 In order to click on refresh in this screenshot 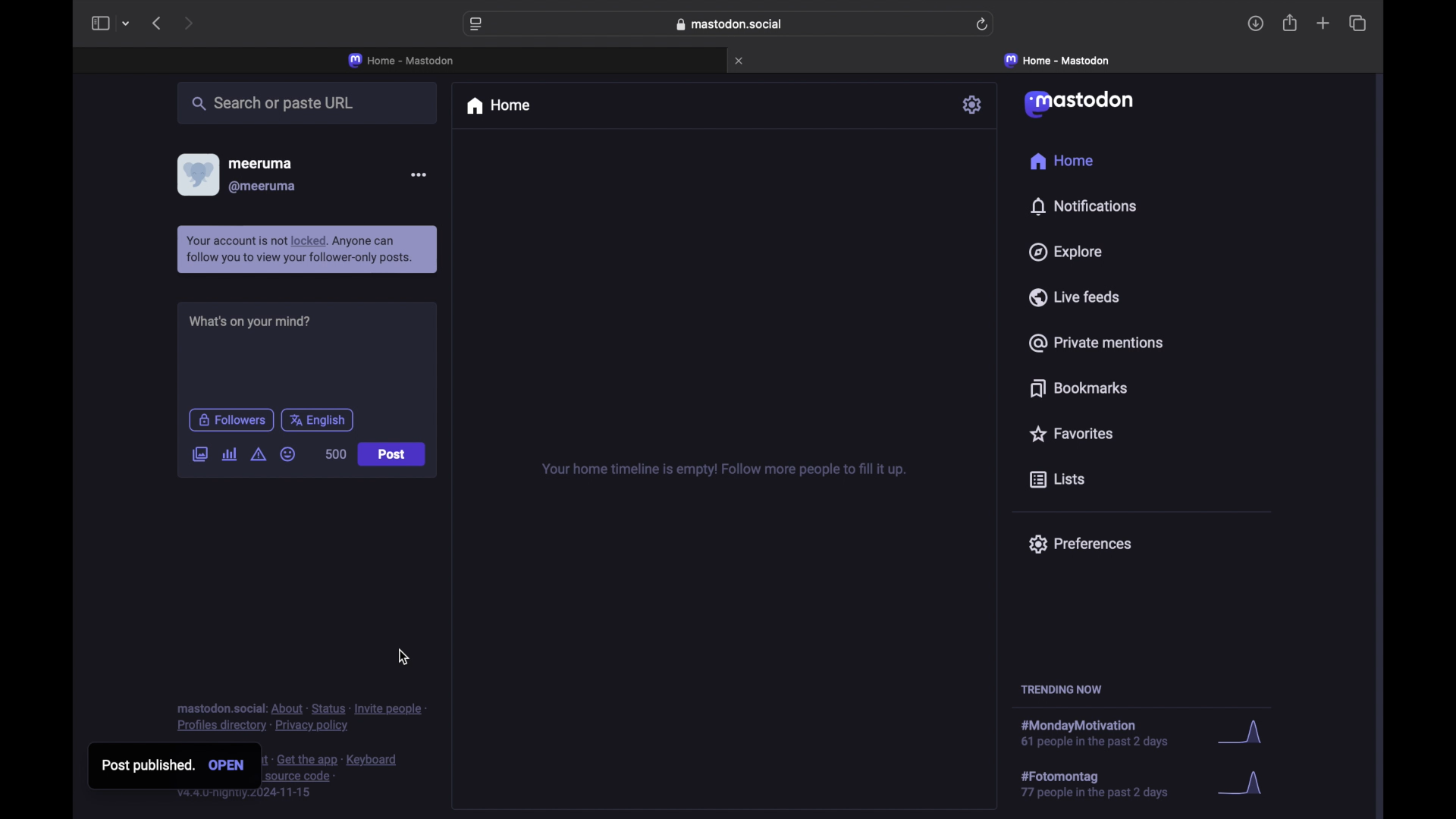, I will do `click(983, 25)`.